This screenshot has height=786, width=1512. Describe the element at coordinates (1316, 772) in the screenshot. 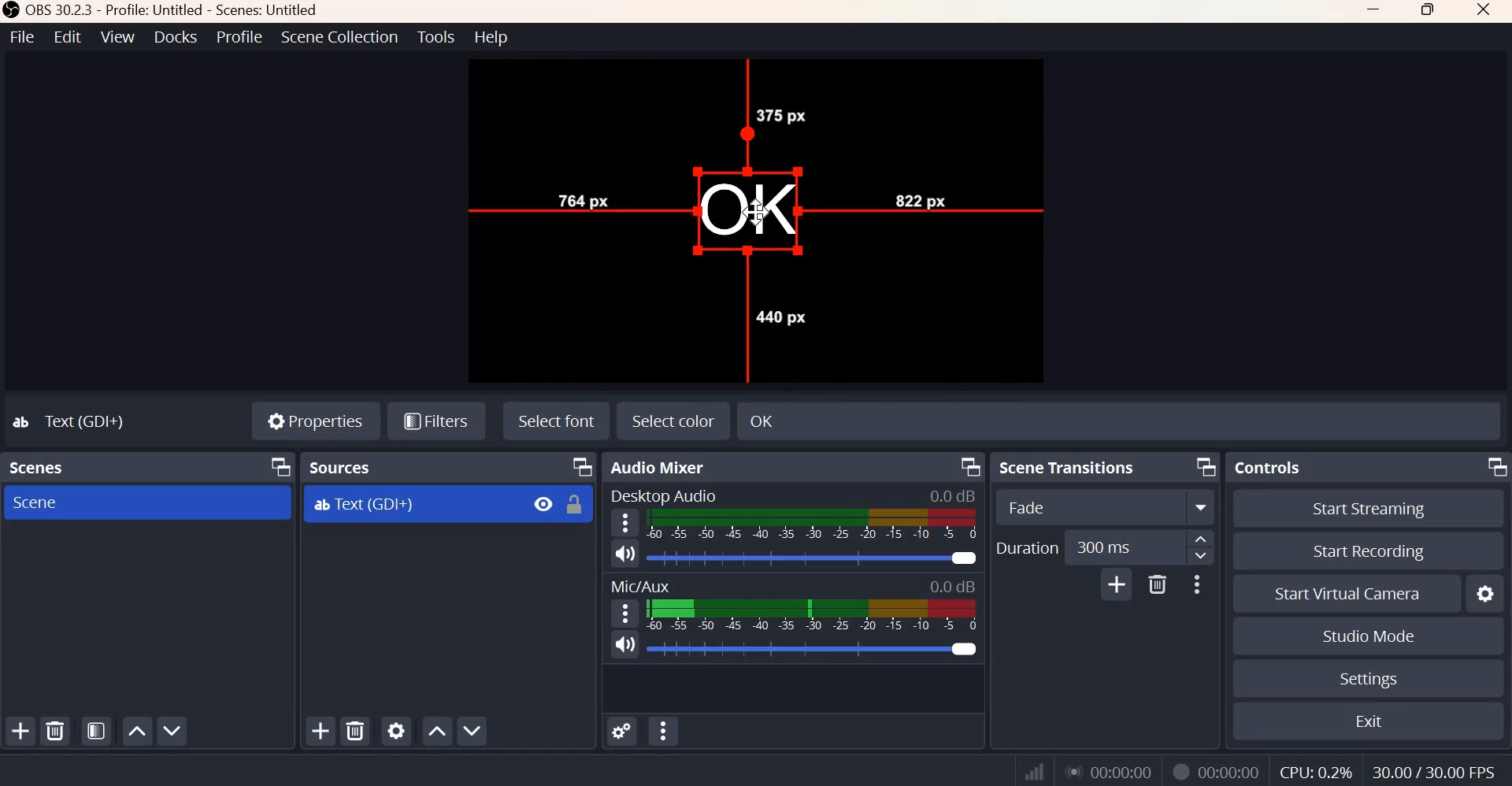

I see `CPU Usage` at that location.